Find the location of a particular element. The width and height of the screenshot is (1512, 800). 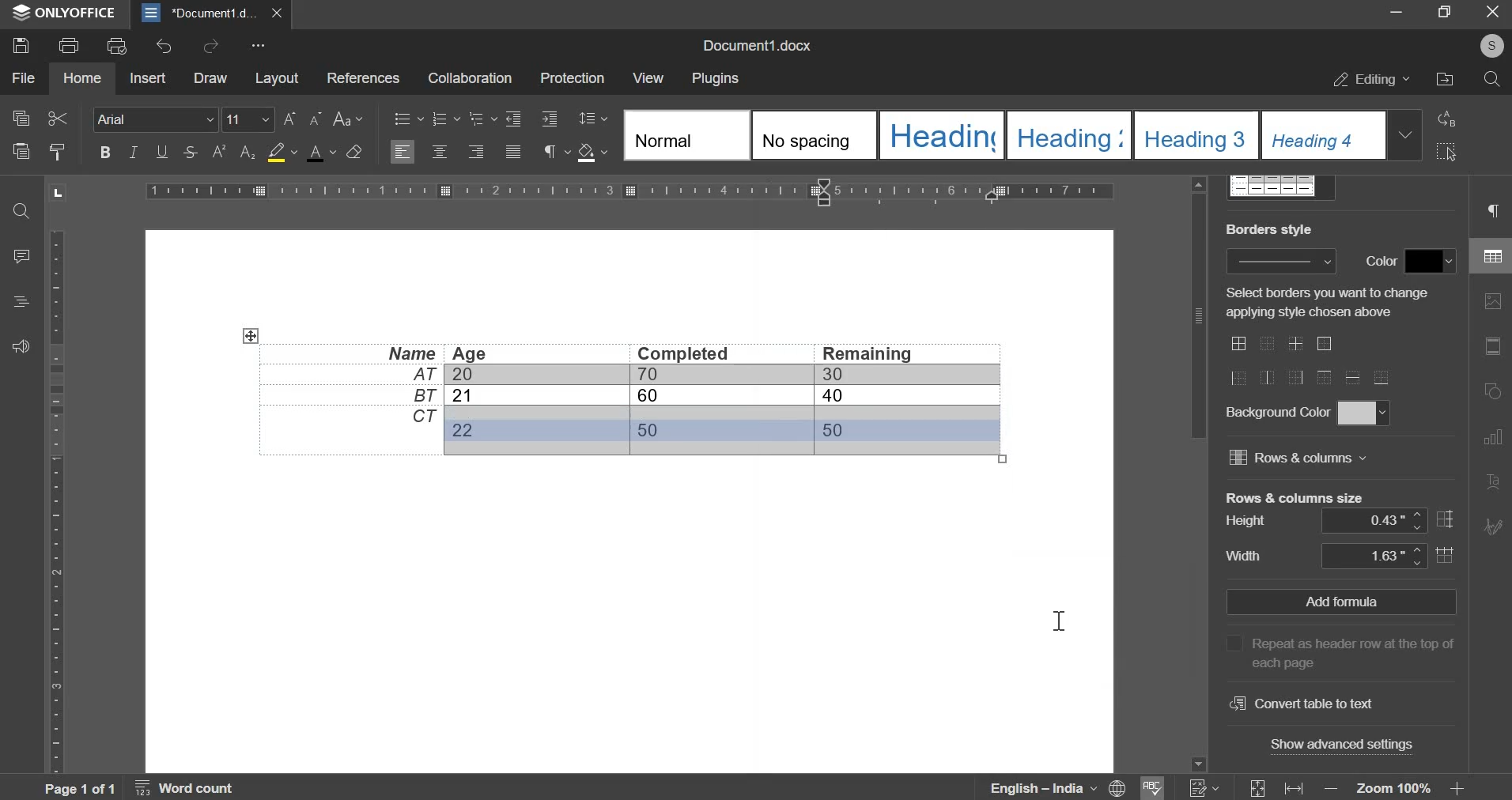

save is located at coordinates (20, 44).